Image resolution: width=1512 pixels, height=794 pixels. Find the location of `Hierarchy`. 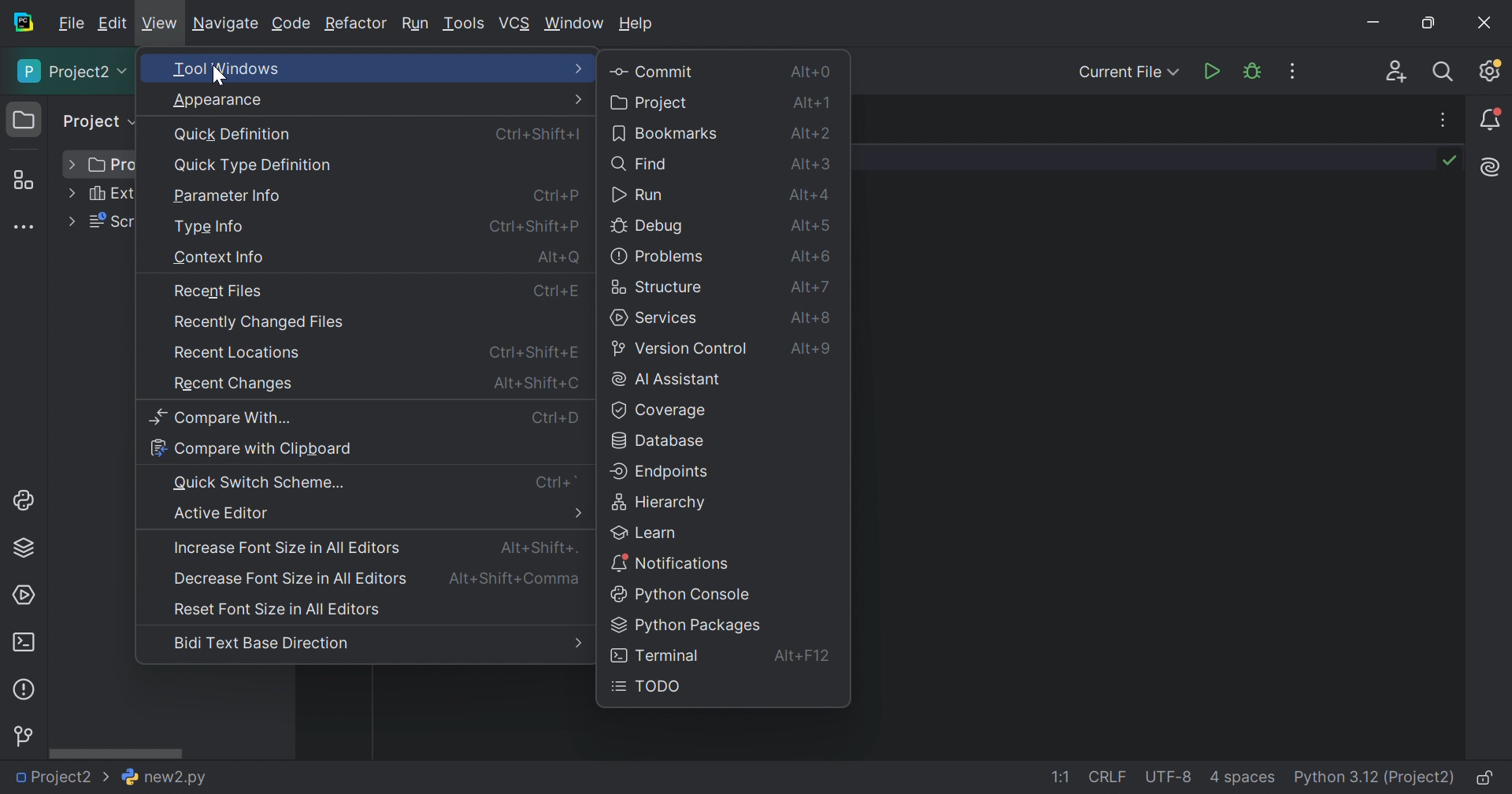

Hierarchy is located at coordinates (662, 503).